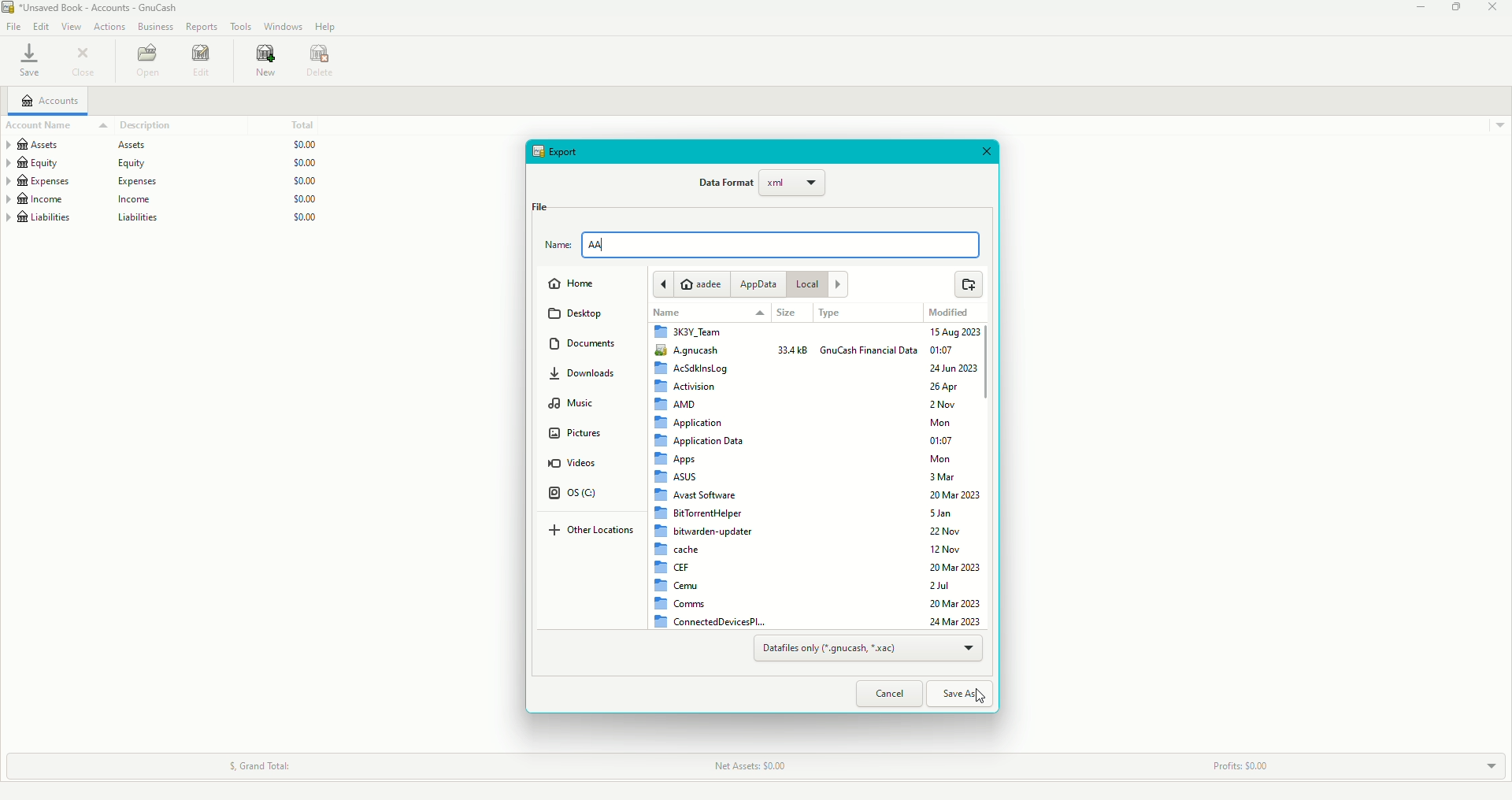 The width and height of the screenshot is (1512, 800). Describe the element at coordinates (580, 316) in the screenshot. I see `Desktop` at that location.